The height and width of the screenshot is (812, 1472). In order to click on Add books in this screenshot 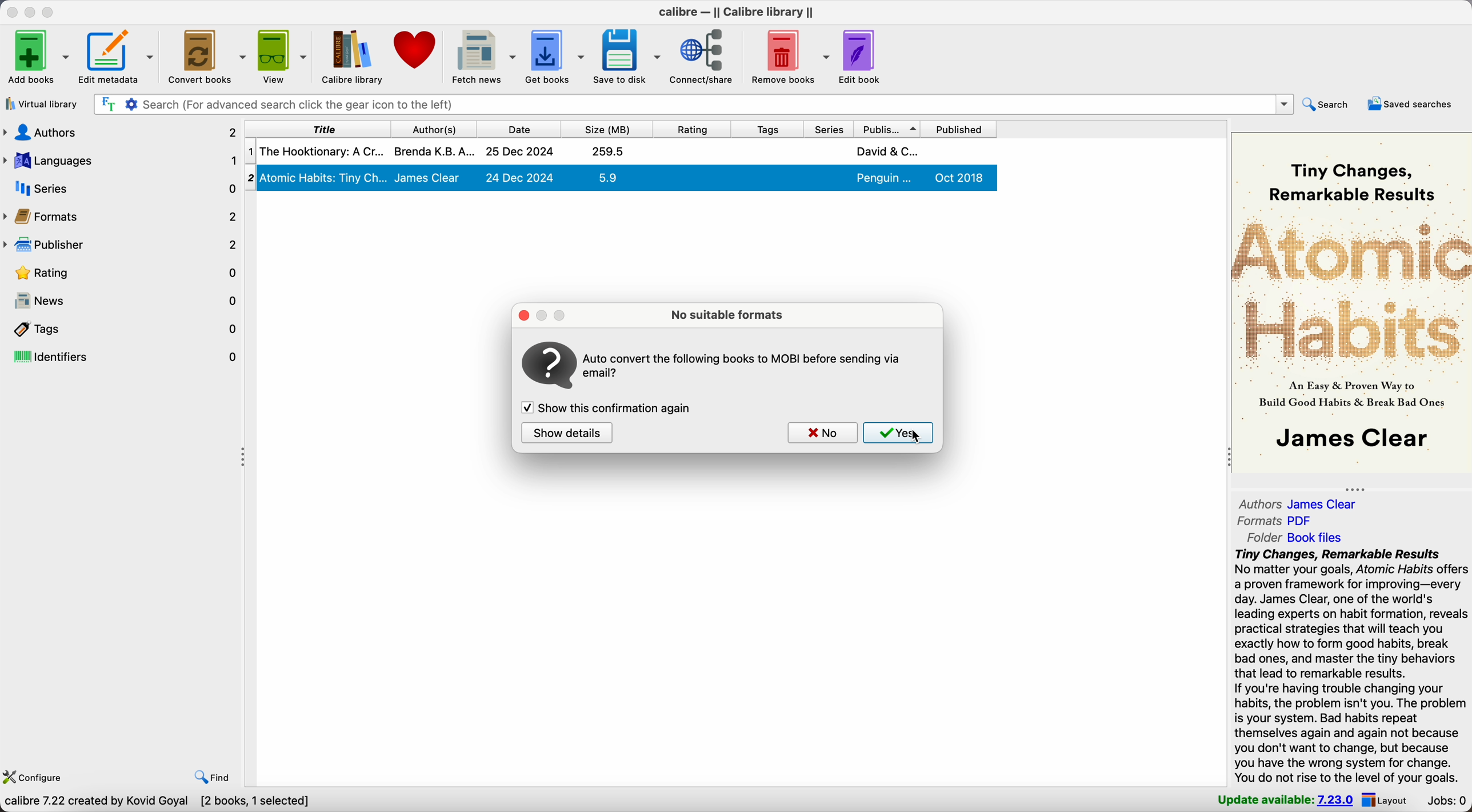, I will do `click(38, 56)`.